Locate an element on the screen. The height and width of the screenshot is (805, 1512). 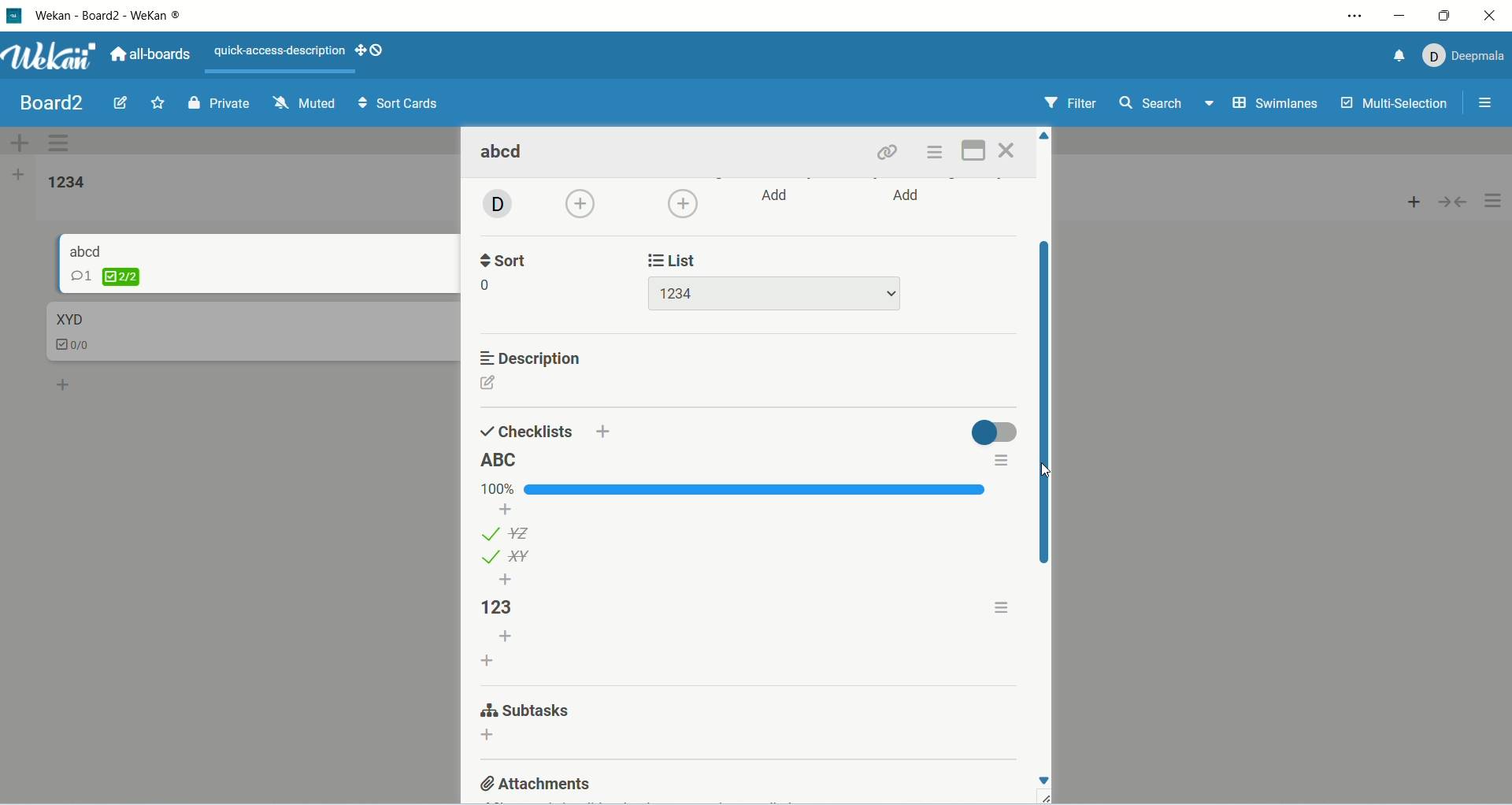
add is located at coordinates (683, 203).